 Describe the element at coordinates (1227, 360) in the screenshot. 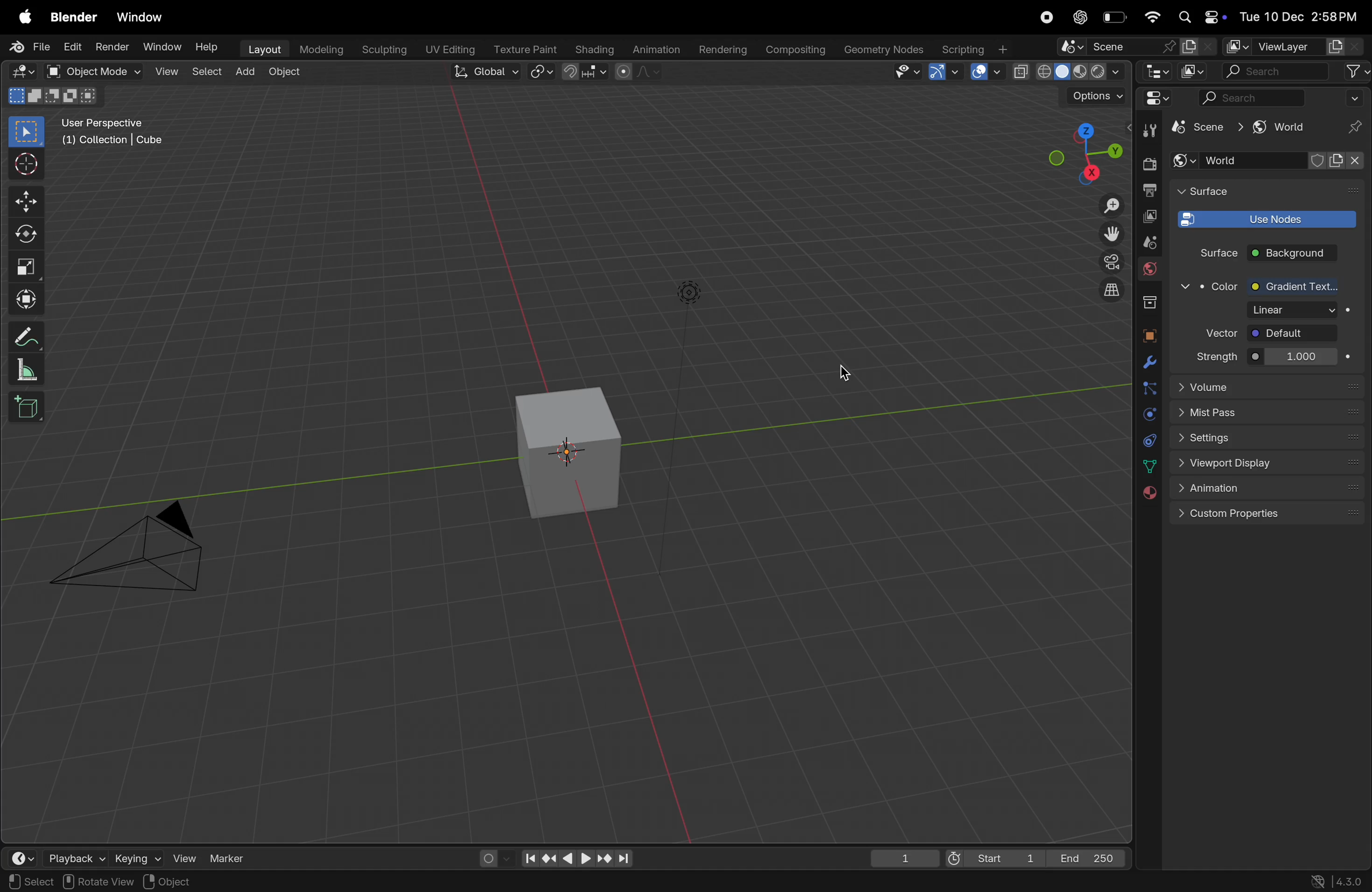

I see `Strength` at that location.